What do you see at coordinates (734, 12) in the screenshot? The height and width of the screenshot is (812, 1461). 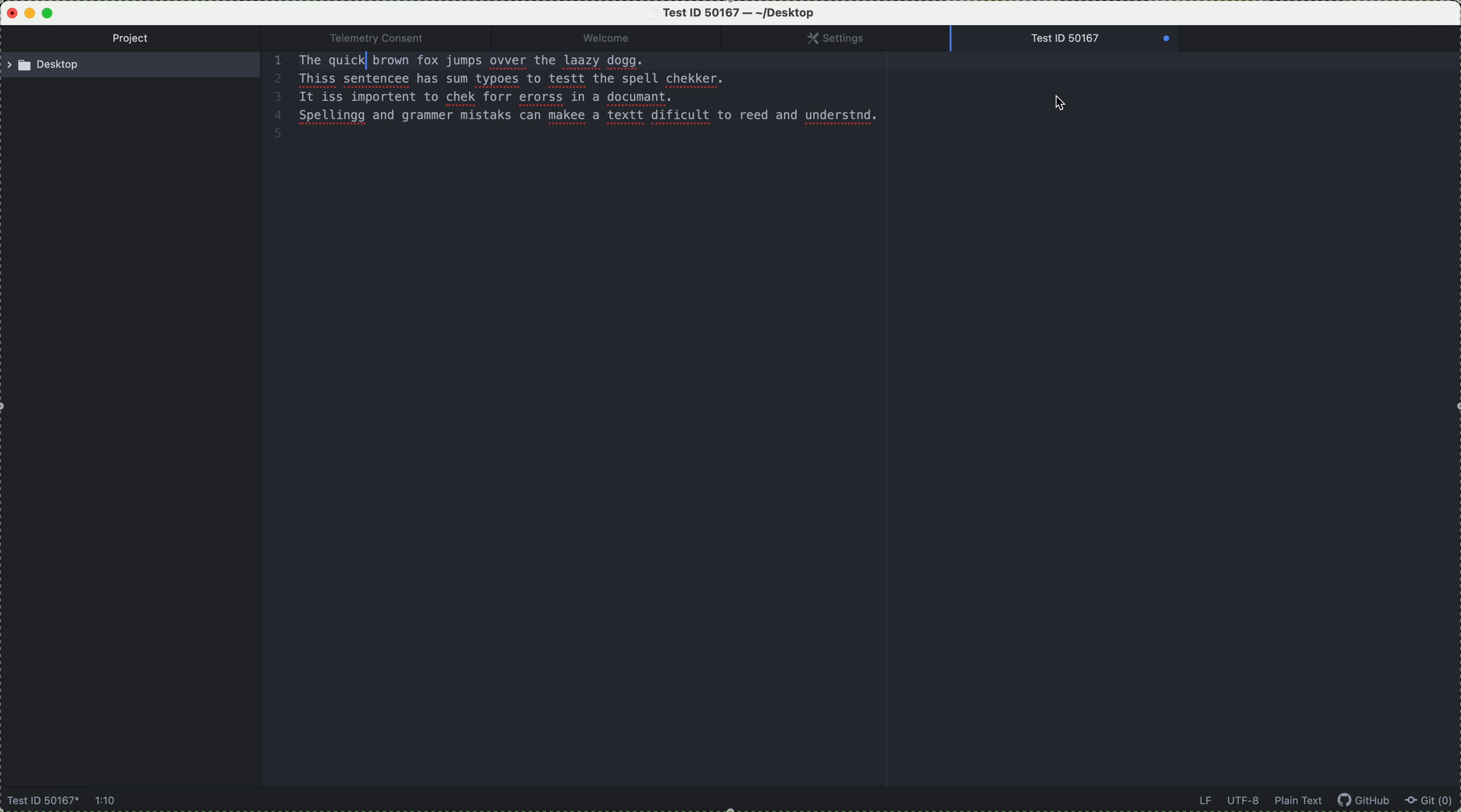 I see `file name` at bounding box center [734, 12].